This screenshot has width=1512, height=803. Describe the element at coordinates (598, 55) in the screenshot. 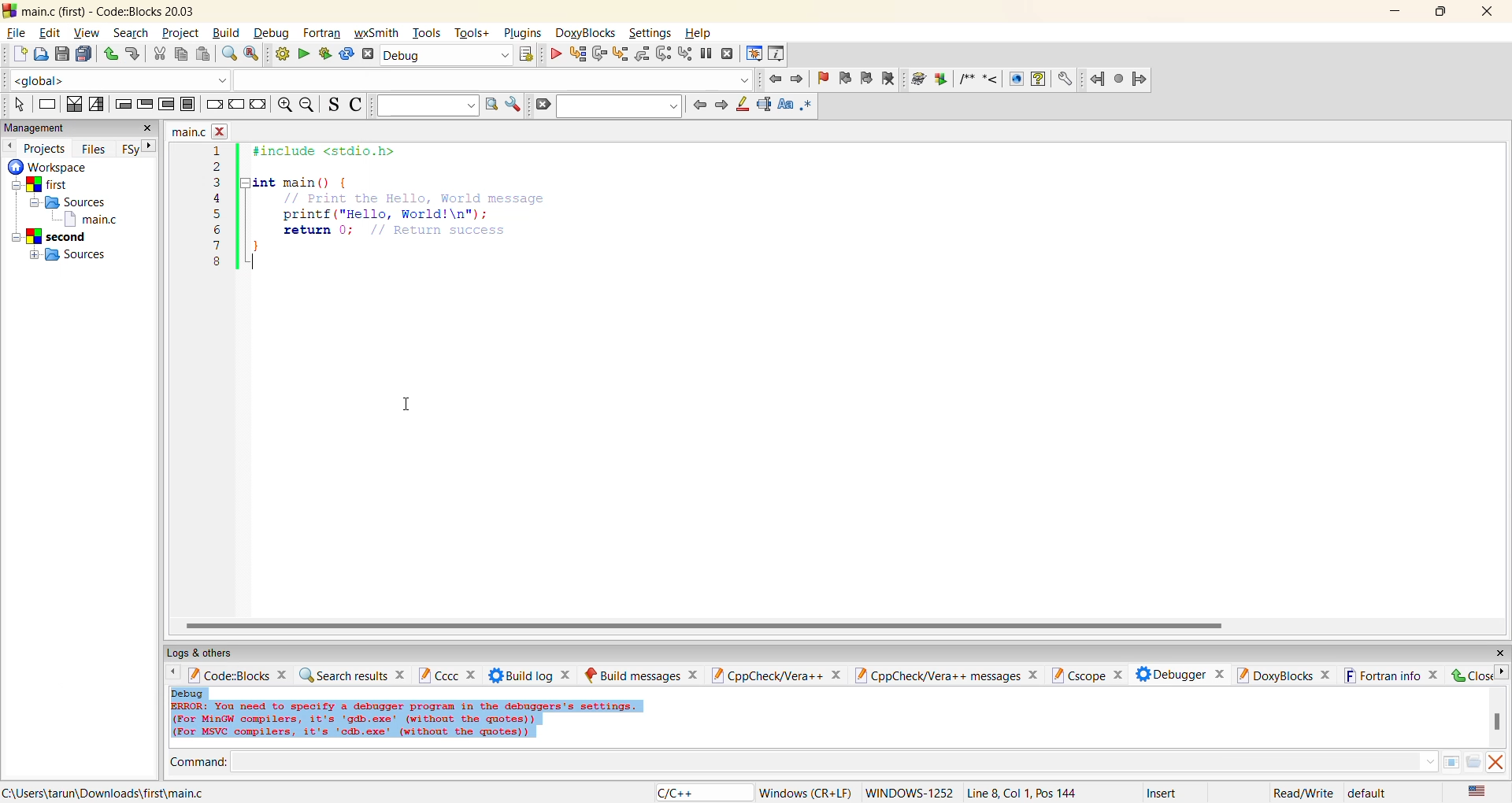

I see `next line` at that location.